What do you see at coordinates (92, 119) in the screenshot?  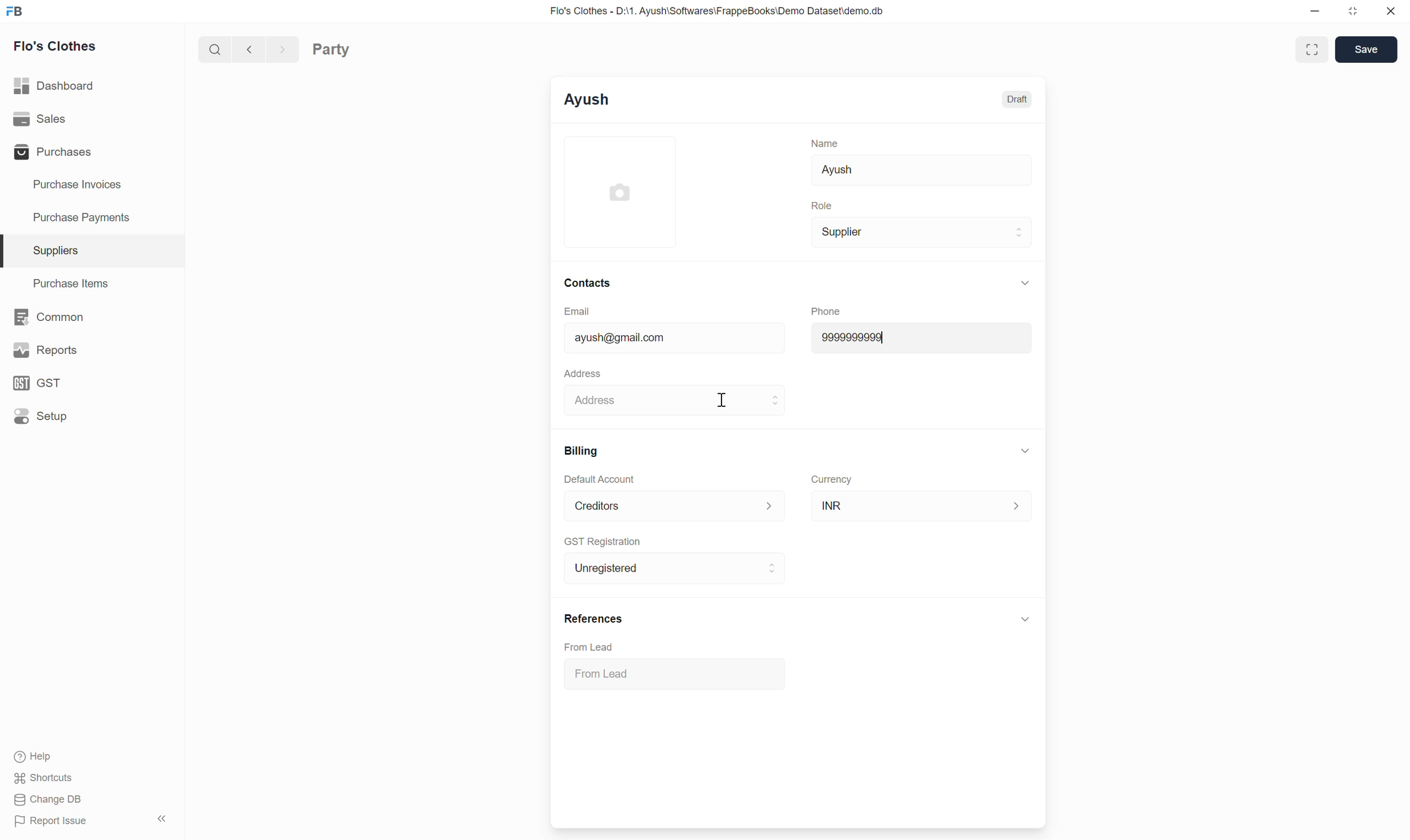 I see `Sales` at bounding box center [92, 119].